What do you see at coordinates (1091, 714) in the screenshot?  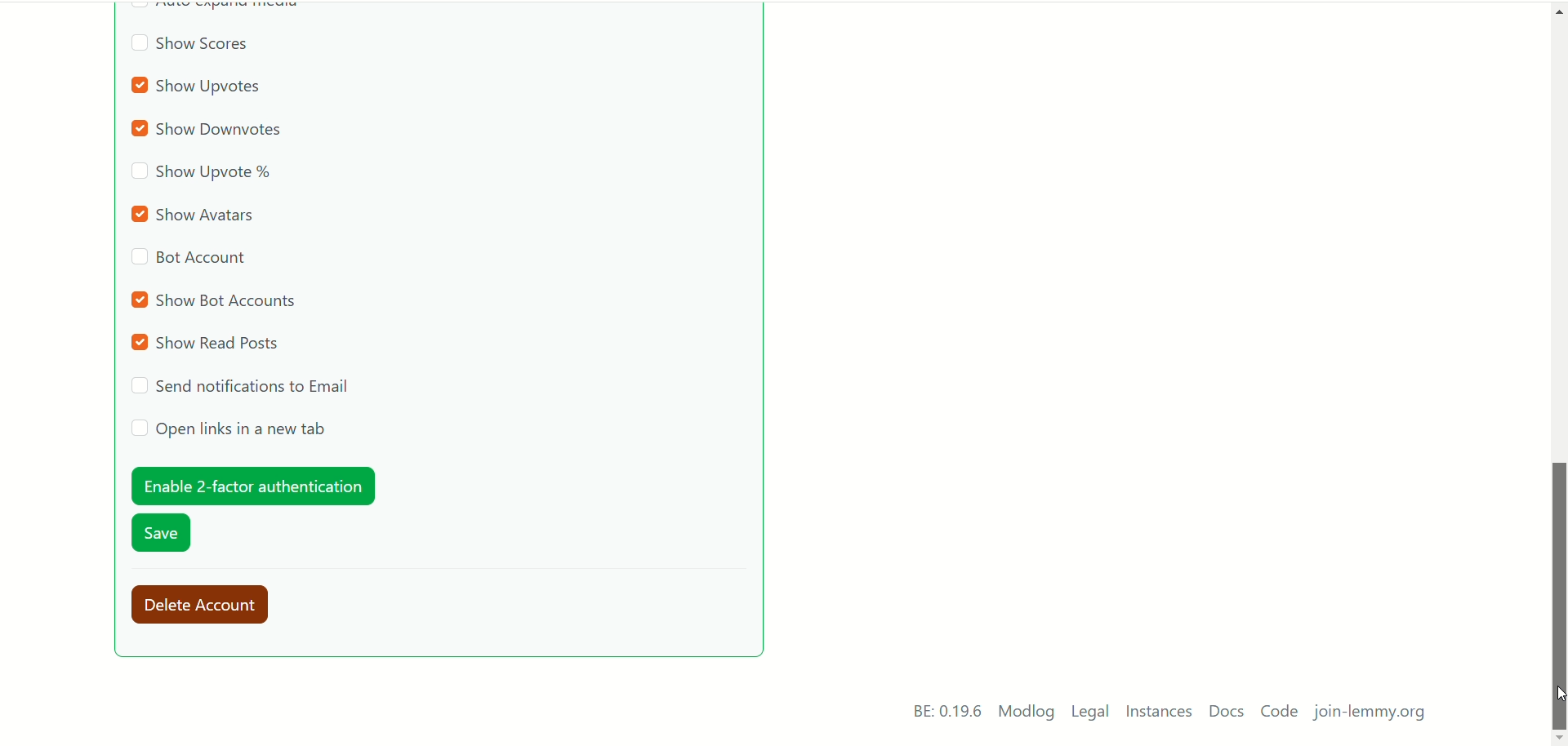 I see `legal` at bounding box center [1091, 714].